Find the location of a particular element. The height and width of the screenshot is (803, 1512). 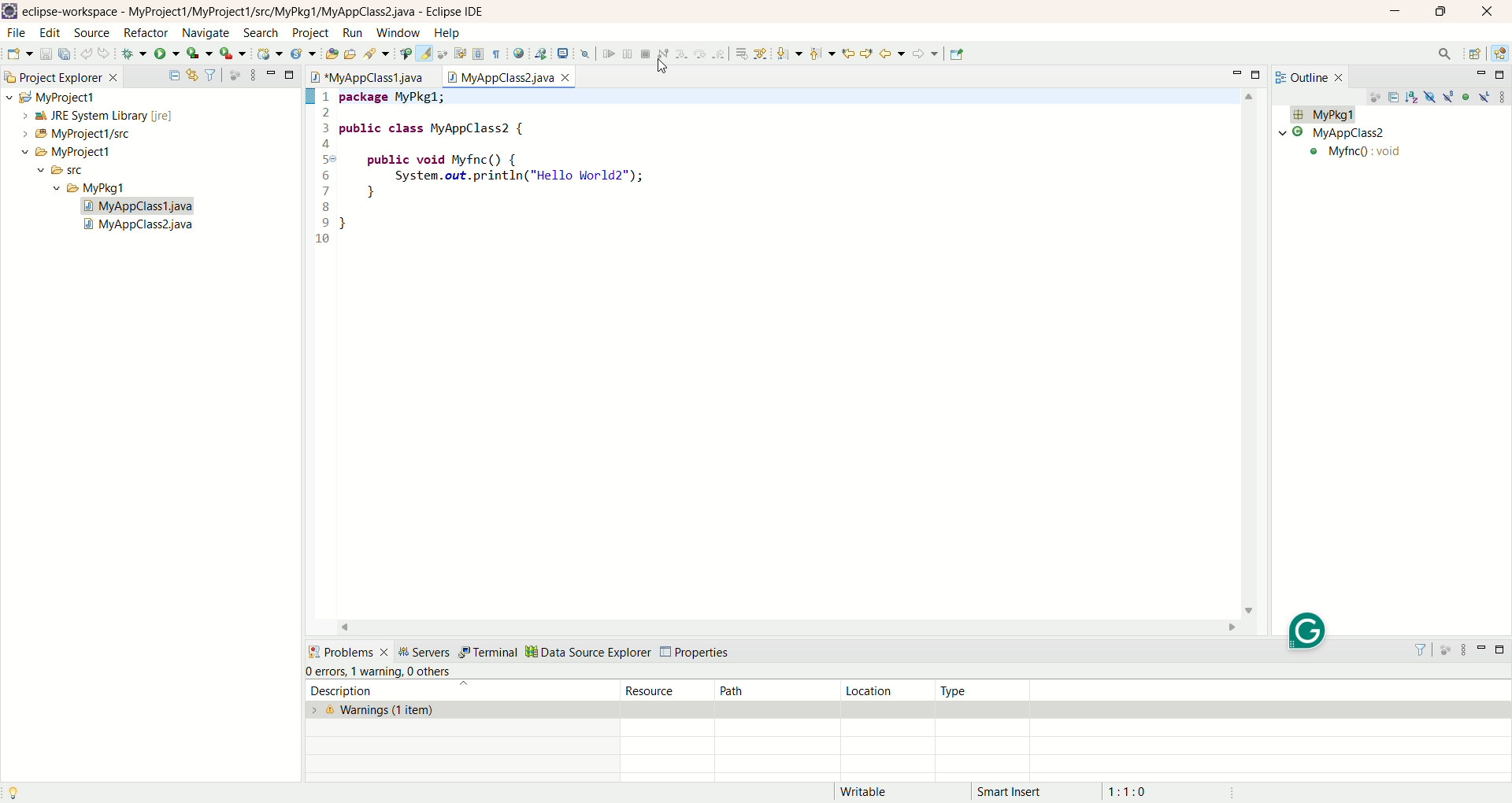

previous edit location is located at coordinates (847, 54).